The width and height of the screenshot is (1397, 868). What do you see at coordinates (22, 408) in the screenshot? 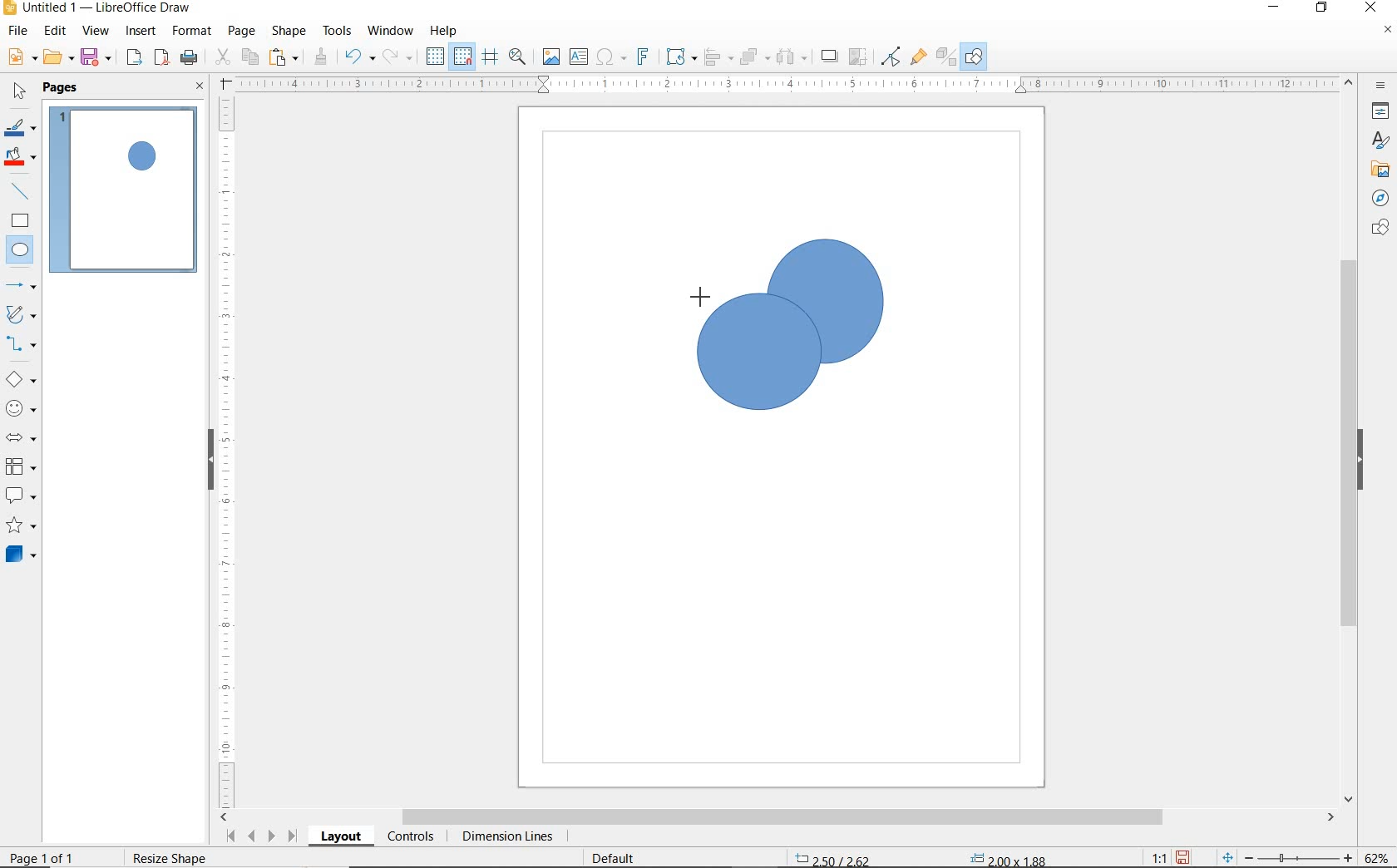
I see `SYMBOL SHAPES` at bounding box center [22, 408].